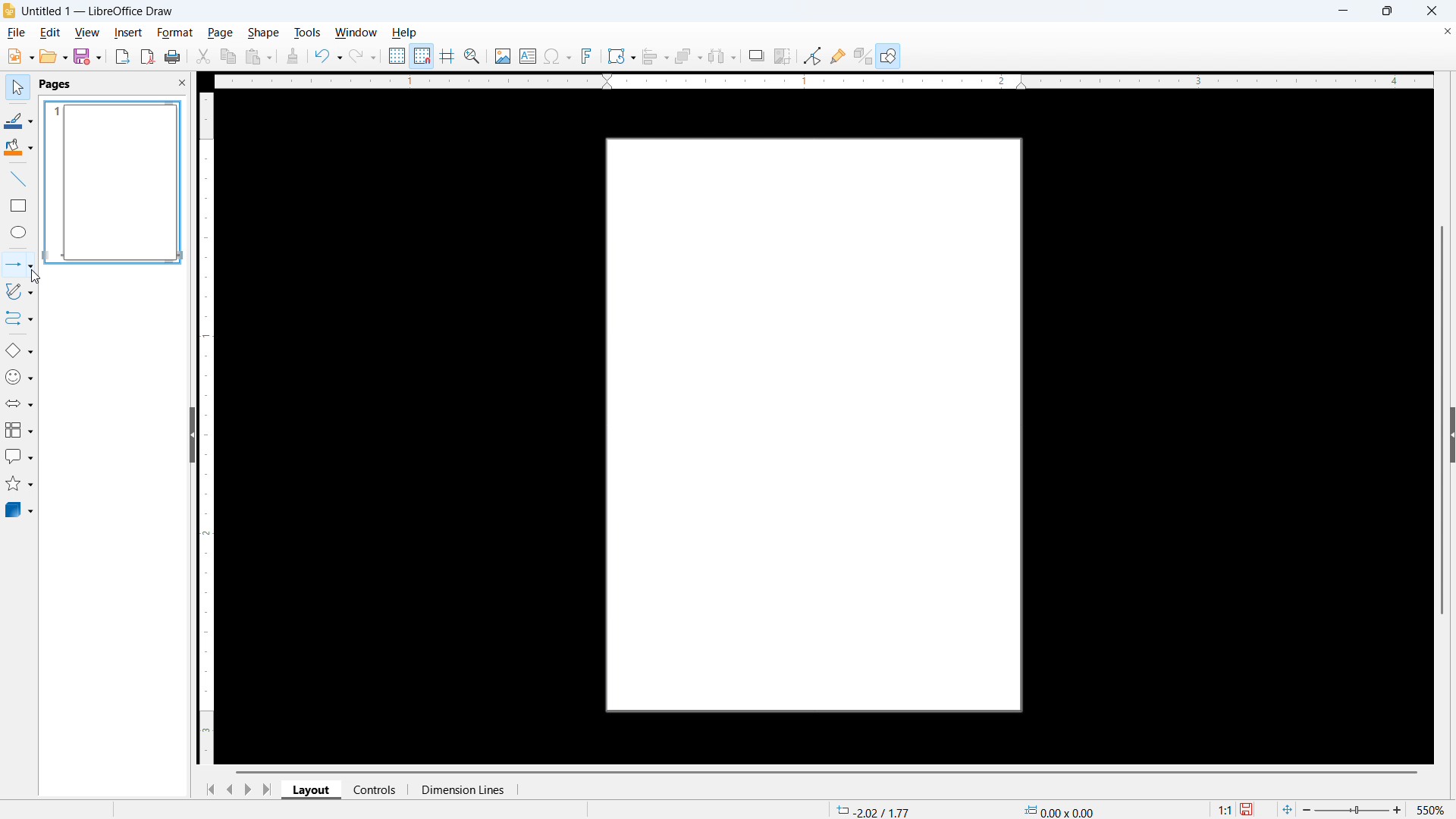 Image resolution: width=1456 pixels, height=819 pixels. I want to click on Window , so click(355, 33).